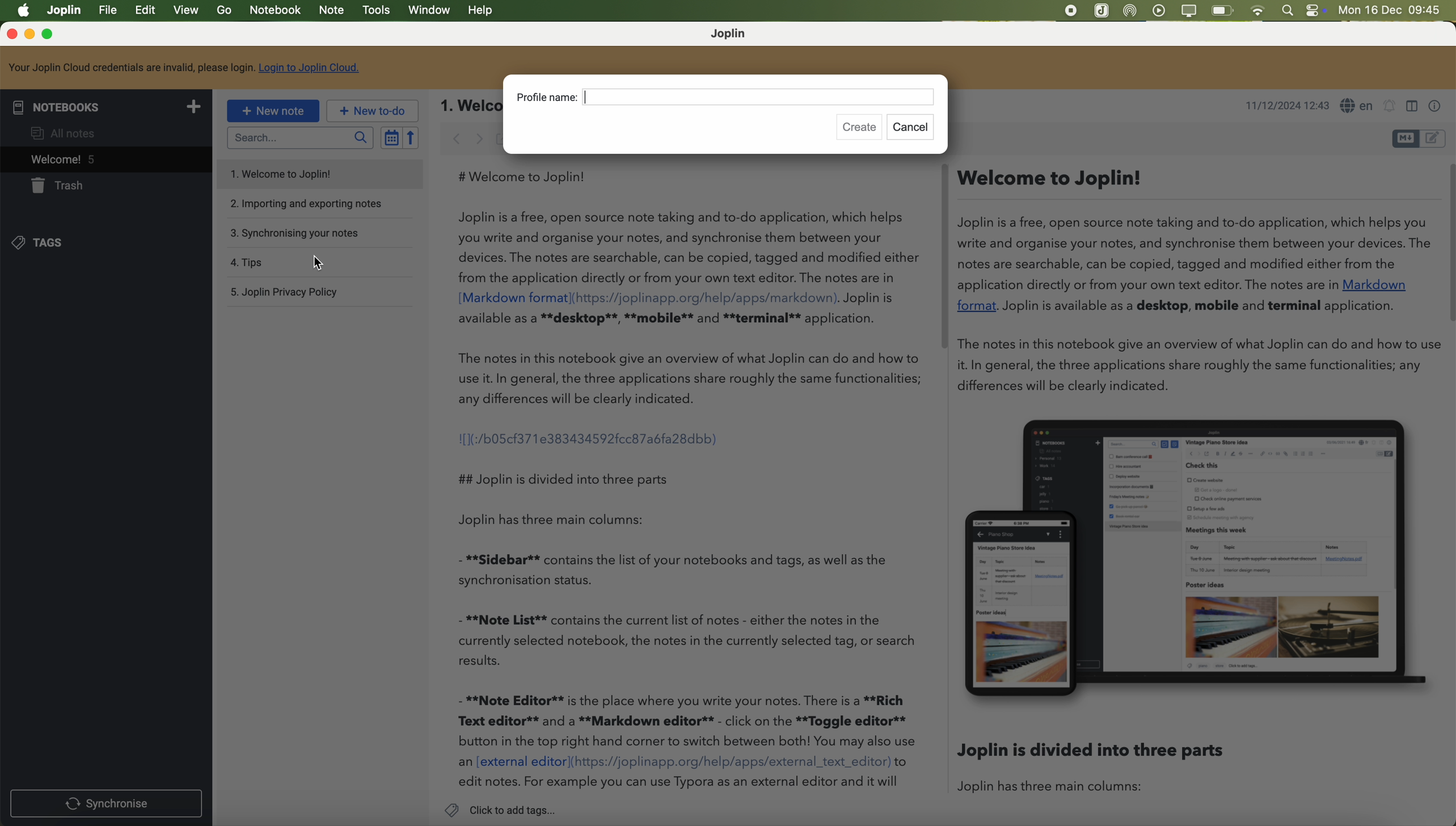  I want to click on (https://joplinapp.org/help/apps/markdown), so click(706, 297).